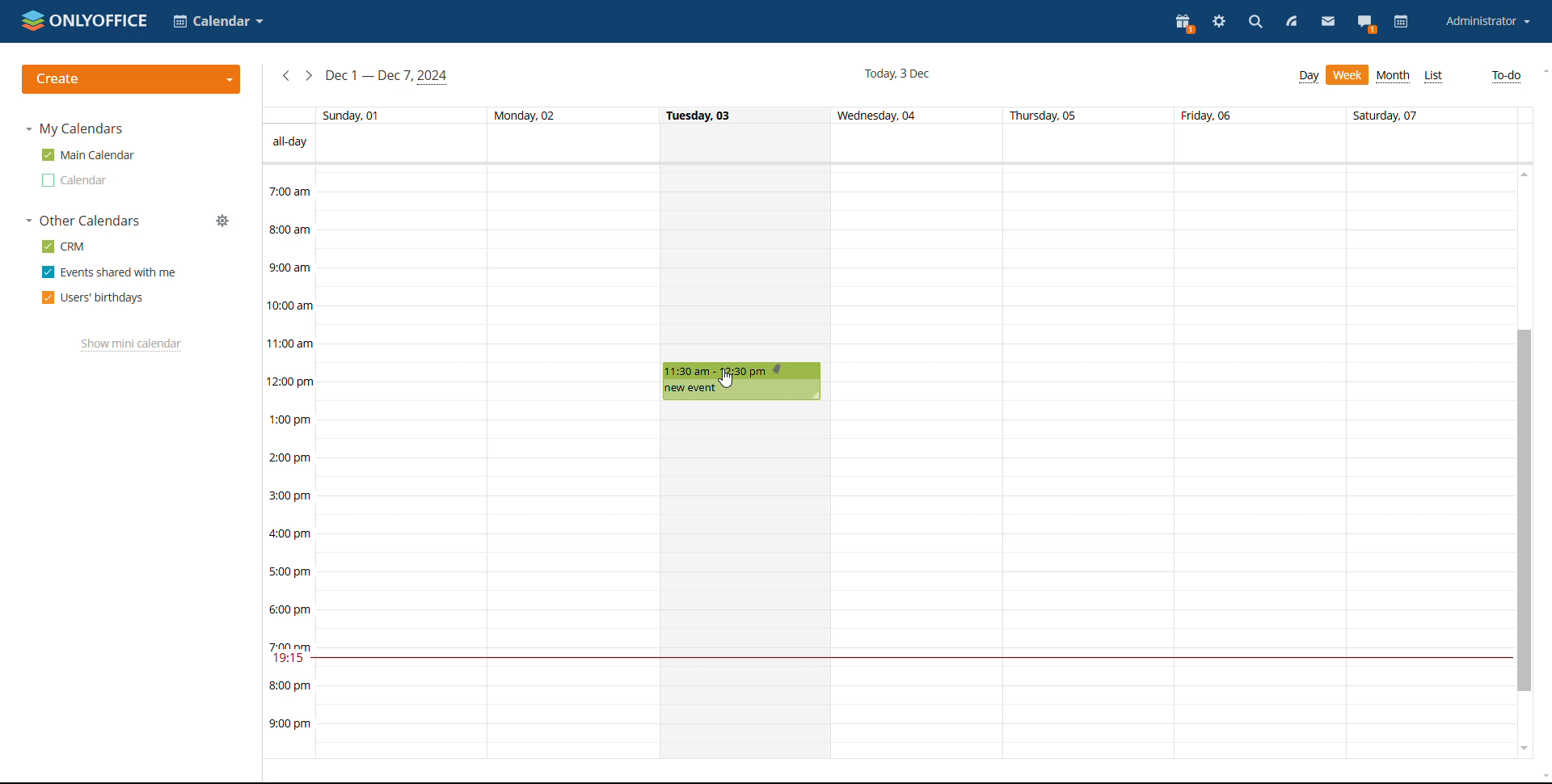 Image resolution: width=1552 pixels, height=784 pixels. What do you see at coordinates (289, 191) in the screenshot?
I see `7:00 am` at bounding box center [289, 191].